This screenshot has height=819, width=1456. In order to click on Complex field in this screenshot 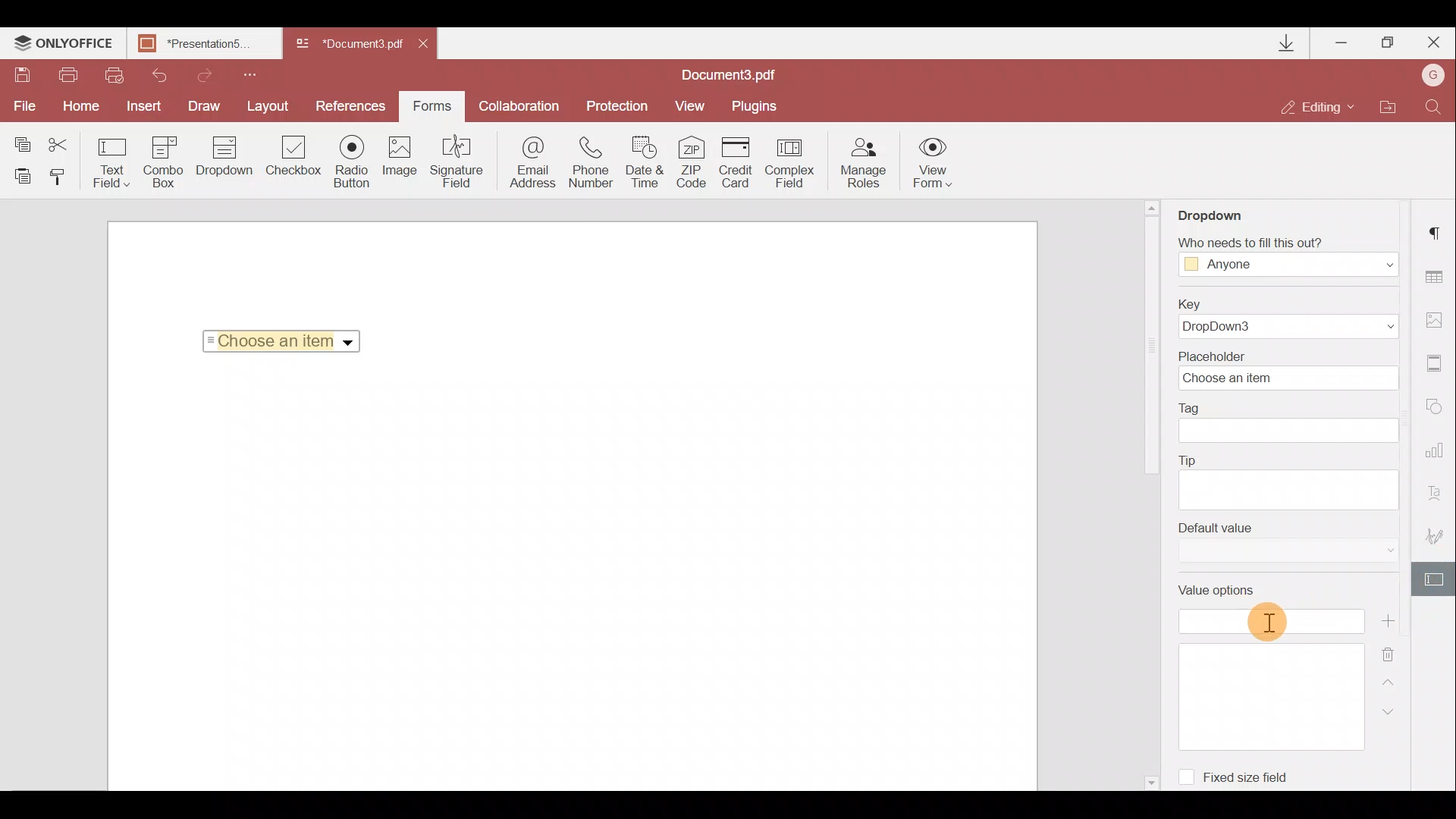, I will do `click(791, 162)`.